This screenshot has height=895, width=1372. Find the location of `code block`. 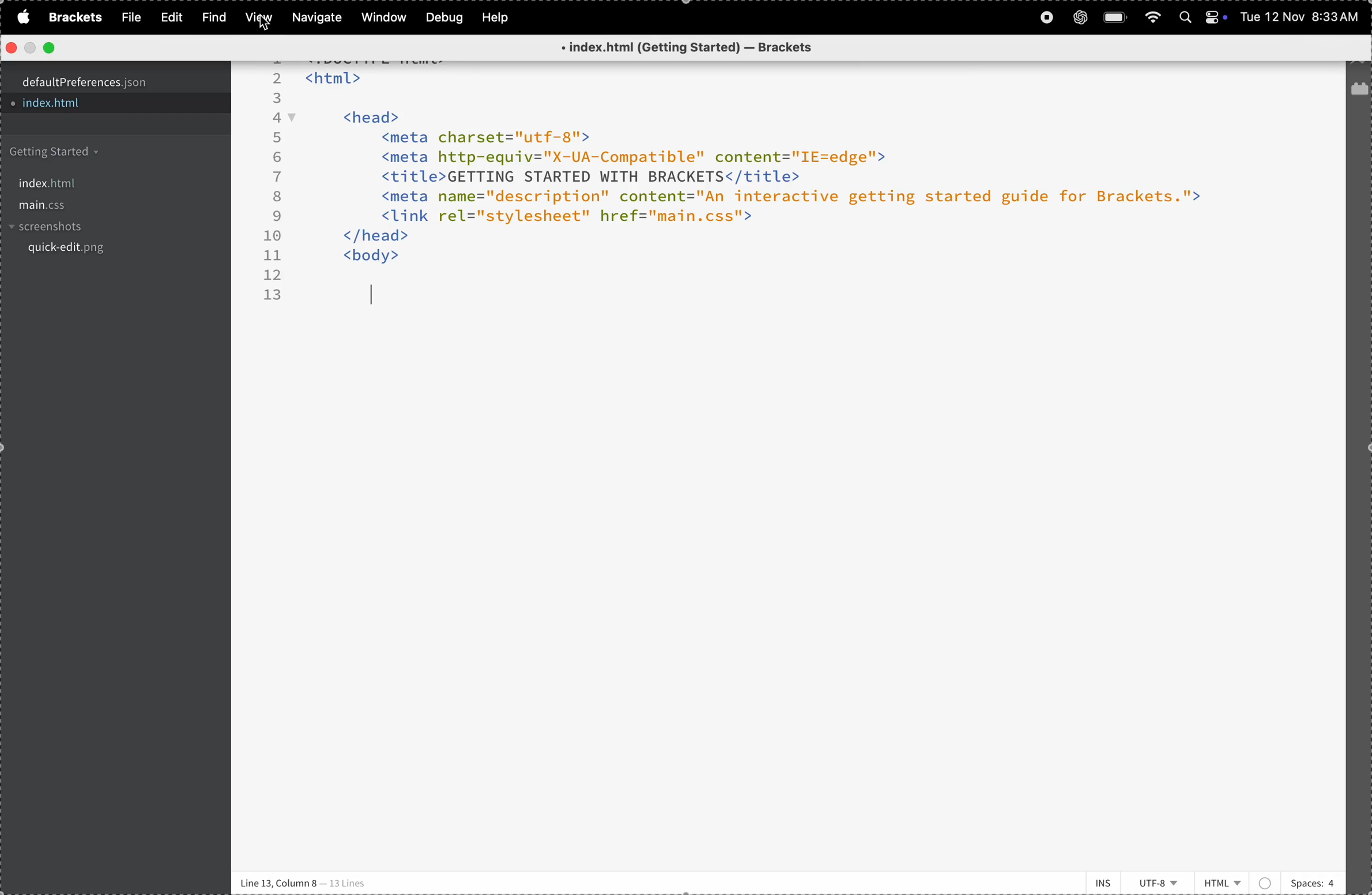

code block is located at coordinates (794, 163).